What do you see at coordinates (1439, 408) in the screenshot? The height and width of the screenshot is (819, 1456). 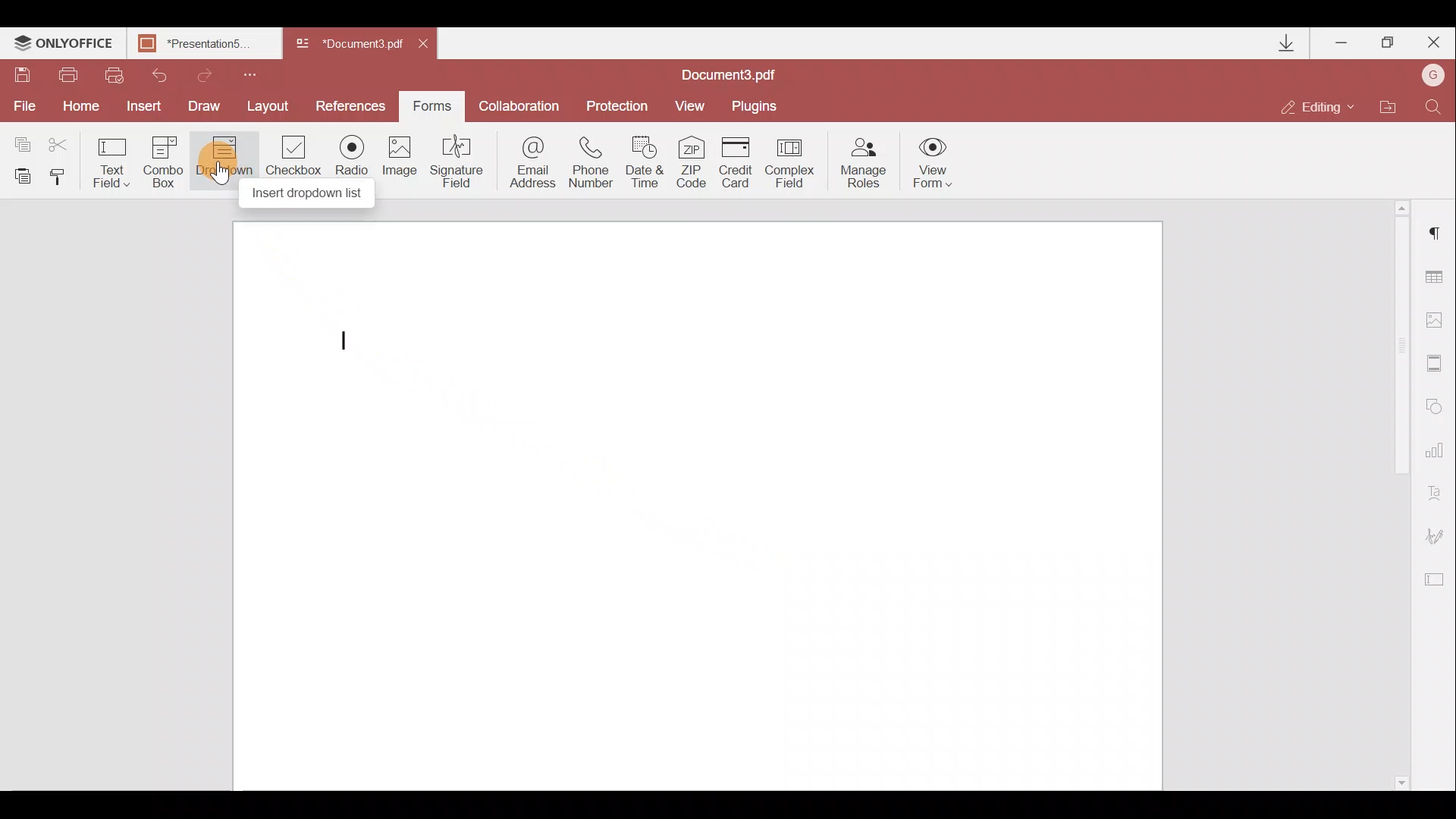 I see `Shapes settings` at bounding box center [1439, 408].